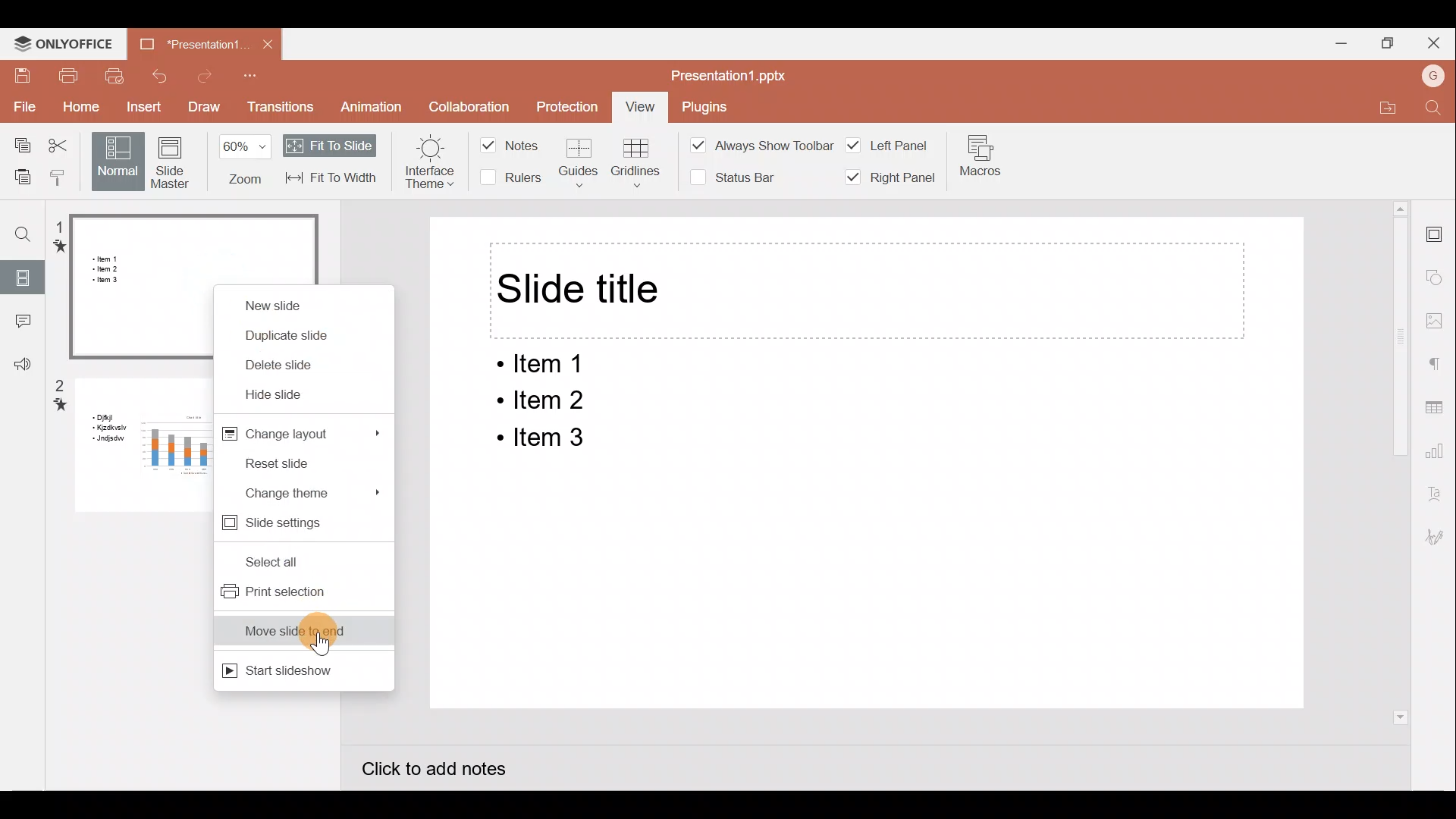 Image resolution: width=1456 pixels, height=819 pixels. I want to click on Start slideshow, so click(292, 670).